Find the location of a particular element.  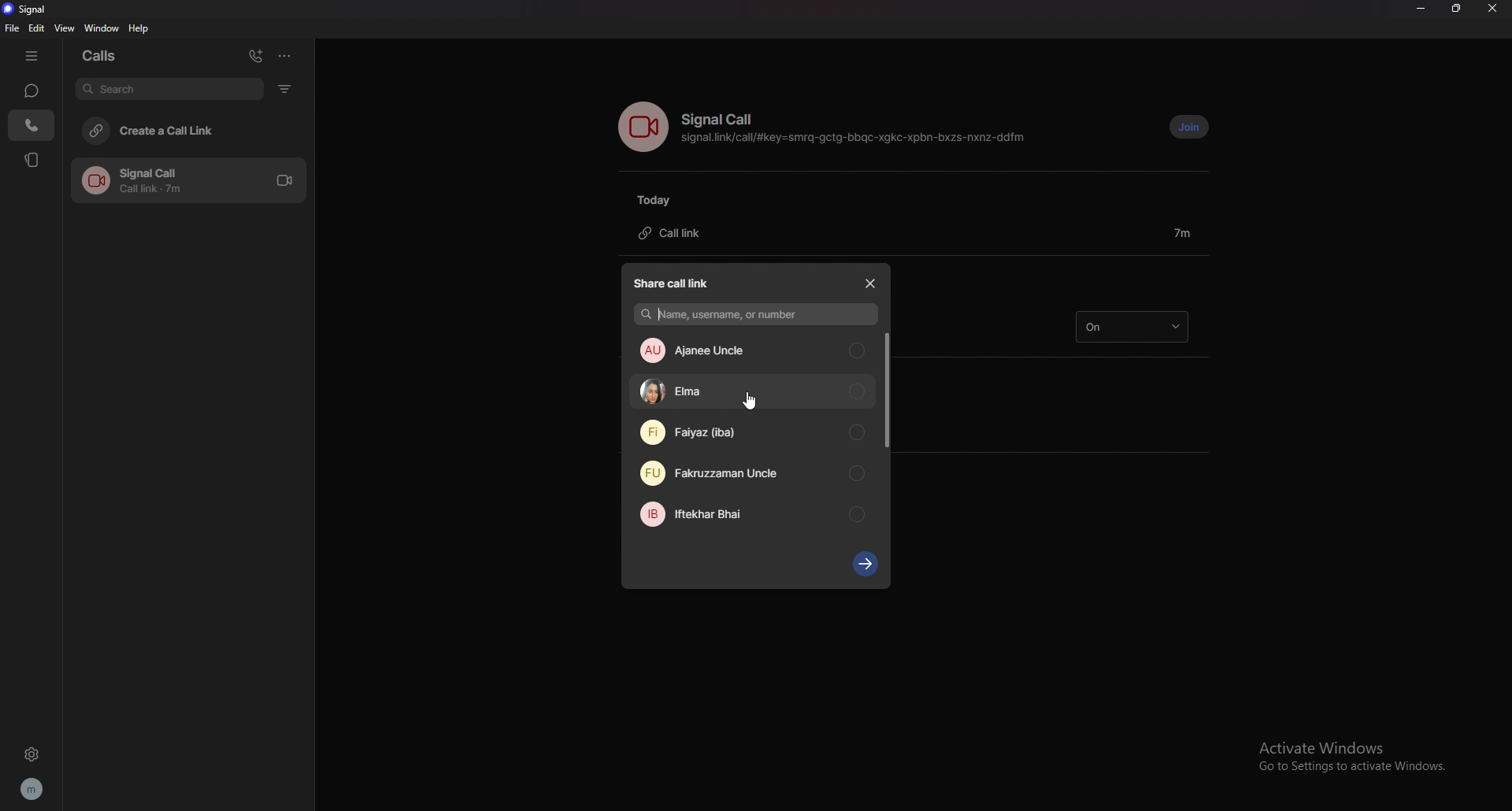

call is located at coordinates (187, 180).